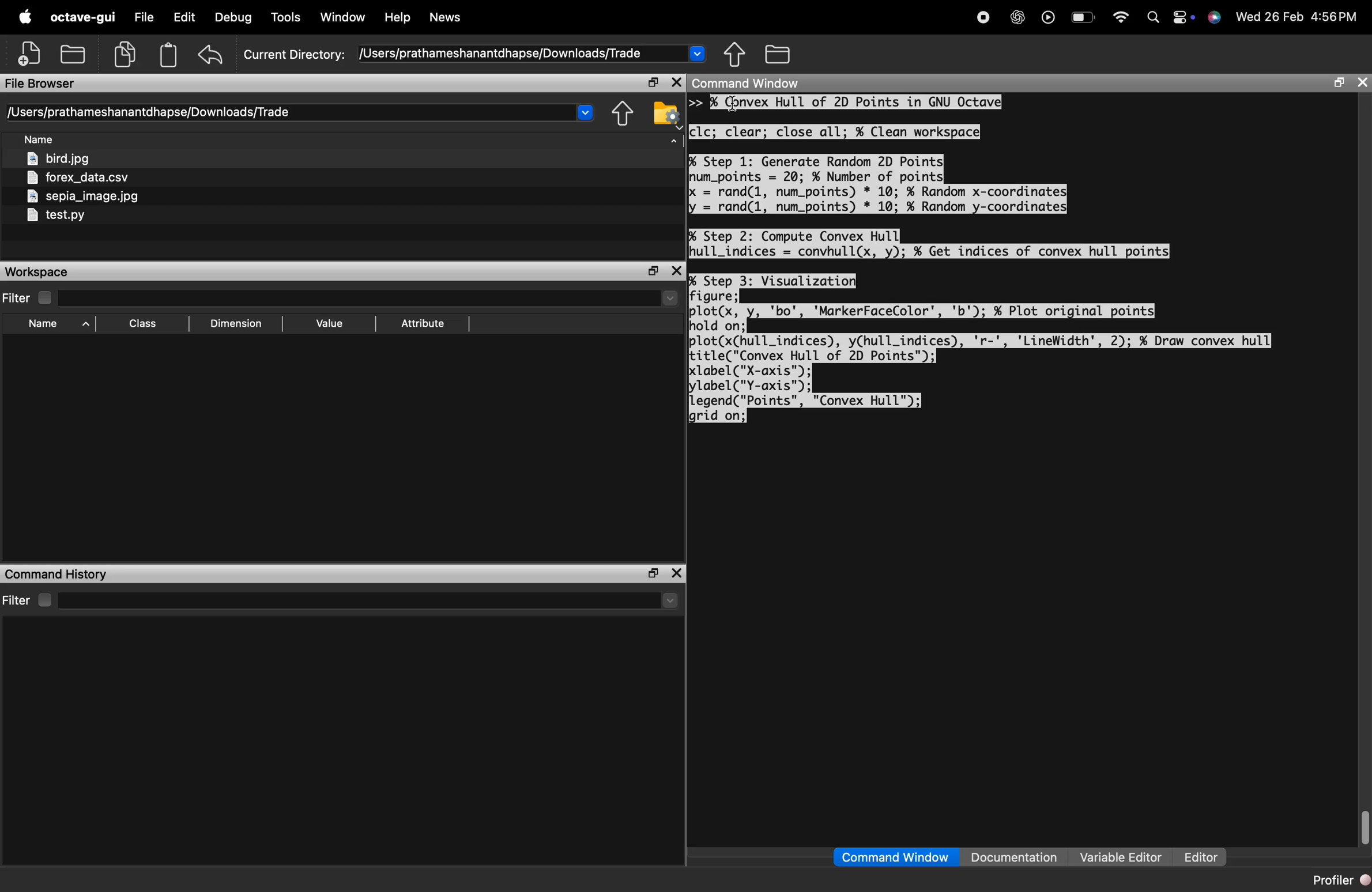 Image resolution: width=1372 pixels, height=892 pixels. Describe the element at coordinates (59, 573) in the screenshot. I see `Command History` at that location.